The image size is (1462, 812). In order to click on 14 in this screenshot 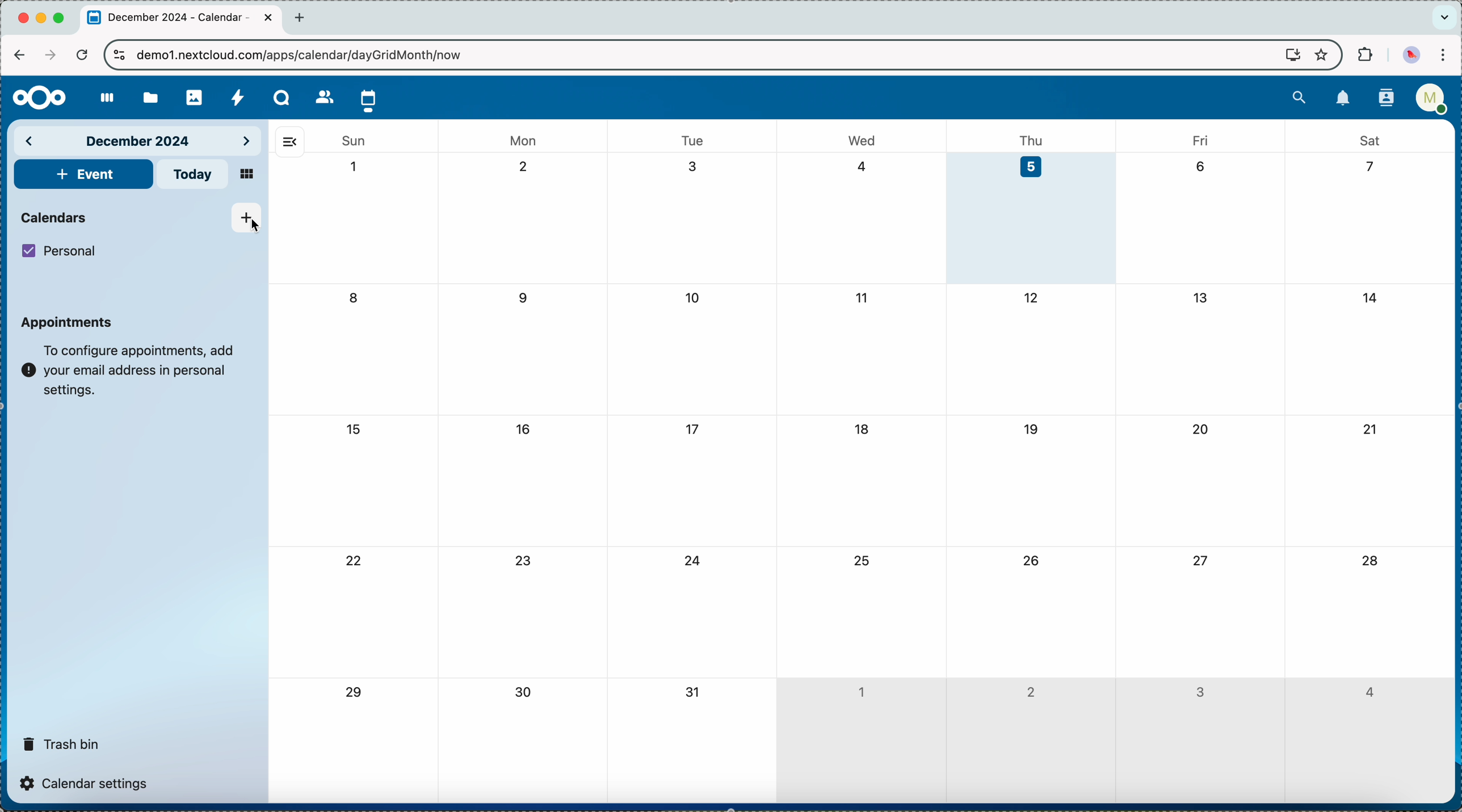, I will do `click(1374, 296)`.